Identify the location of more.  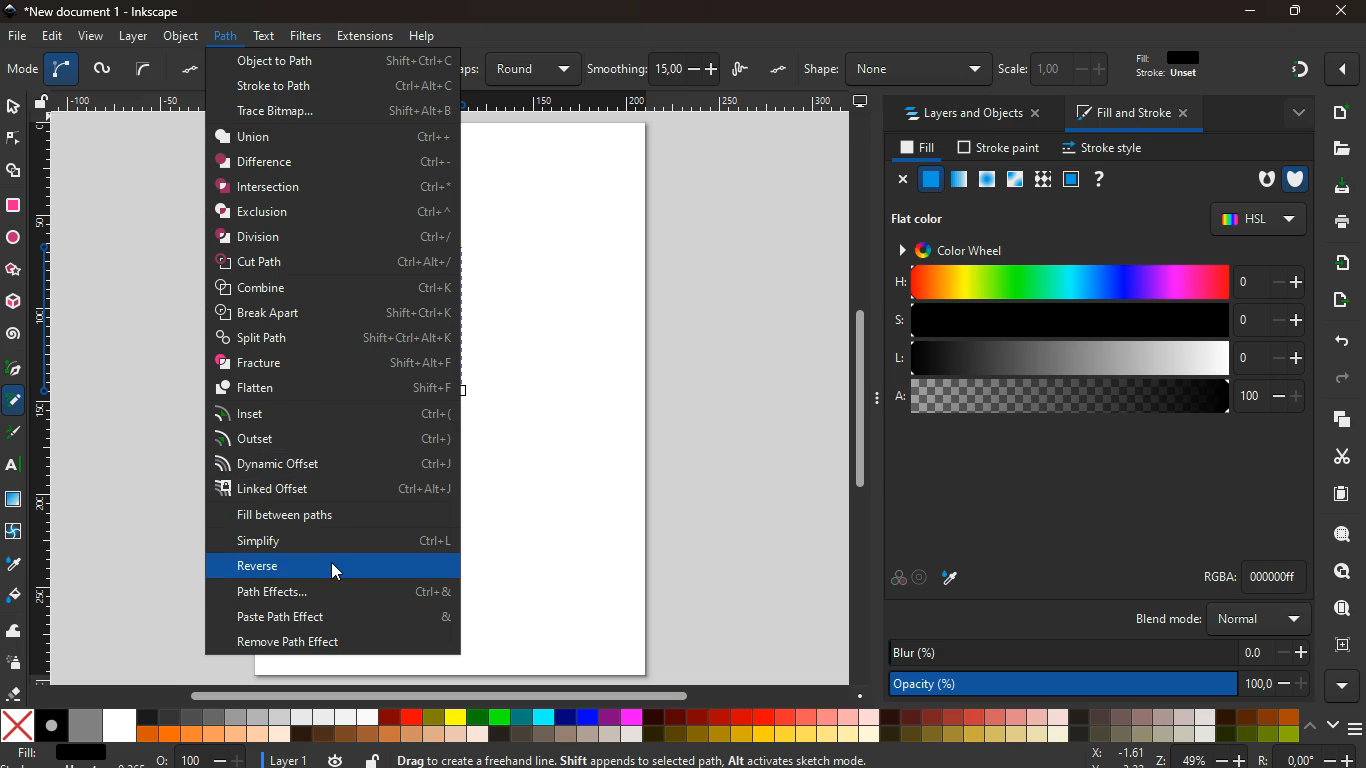
(1345, 69).